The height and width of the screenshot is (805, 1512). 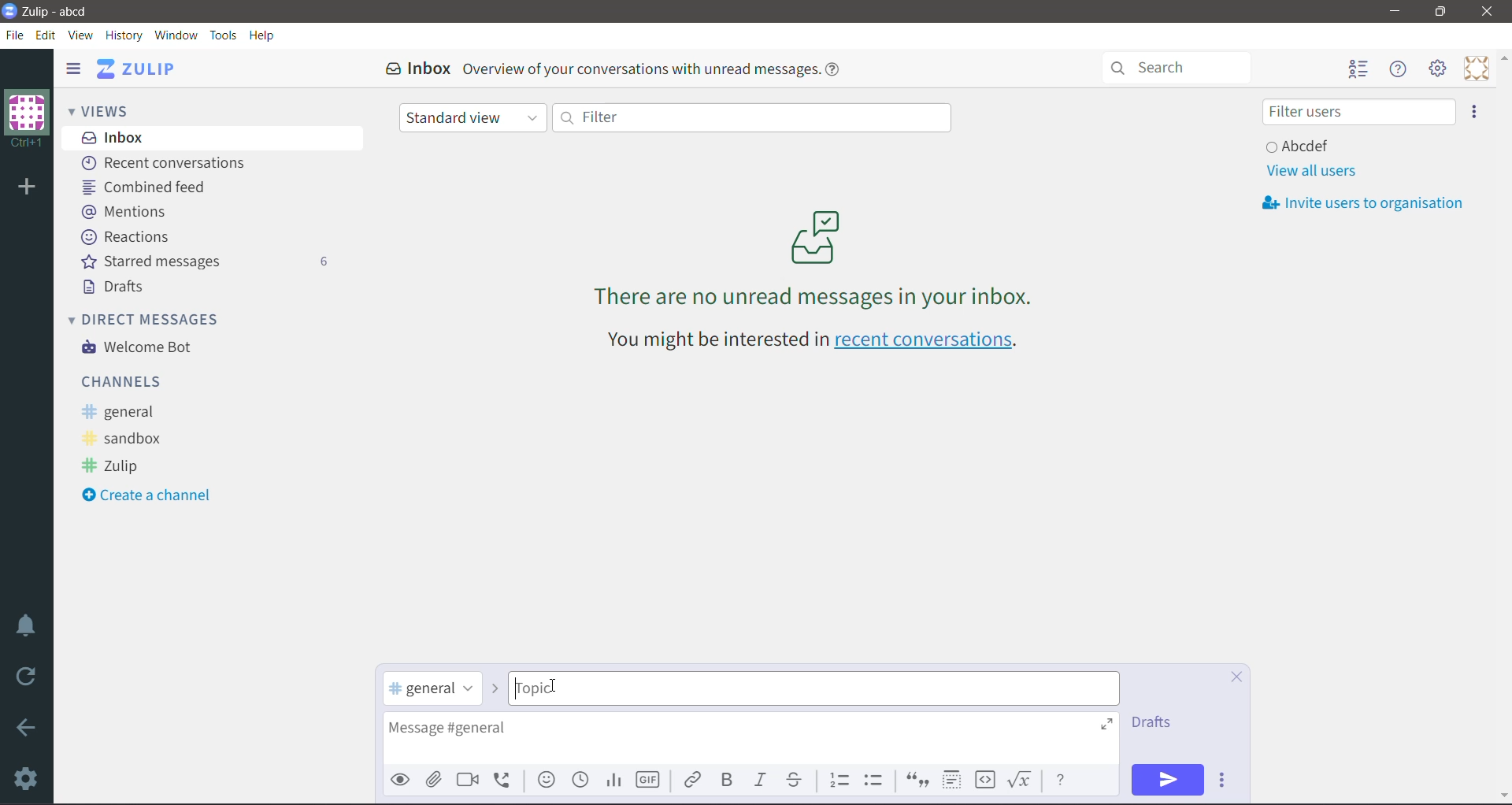 What do you see at coordinates (1475, 112) in the screenshot?
I see `Invite users to organization` at bounding box center [1475, 112].